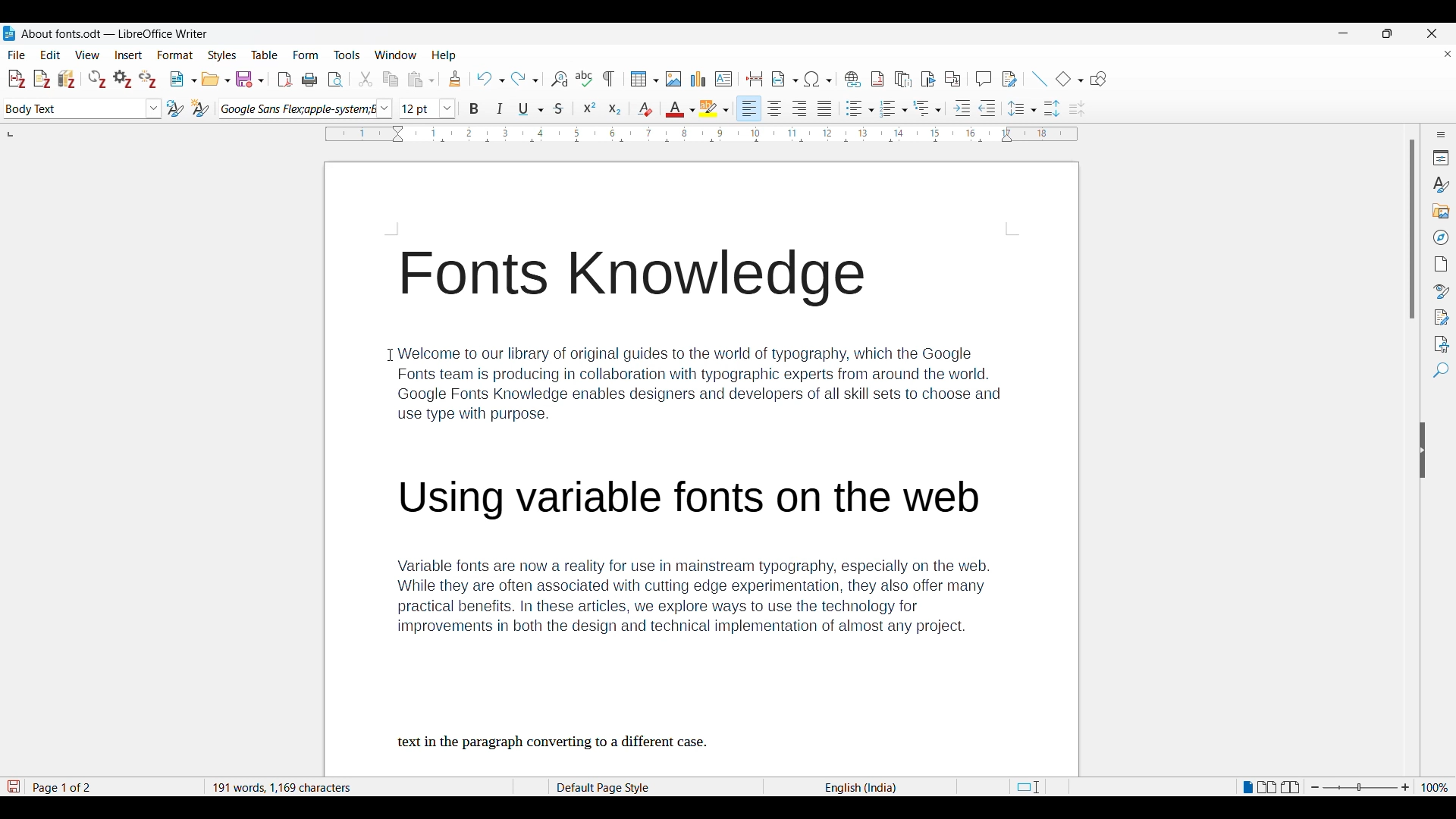  What do you see at coordinates (859, 108) in the screenshot?
I see `Unordered list` at bounding box center [859, 108].